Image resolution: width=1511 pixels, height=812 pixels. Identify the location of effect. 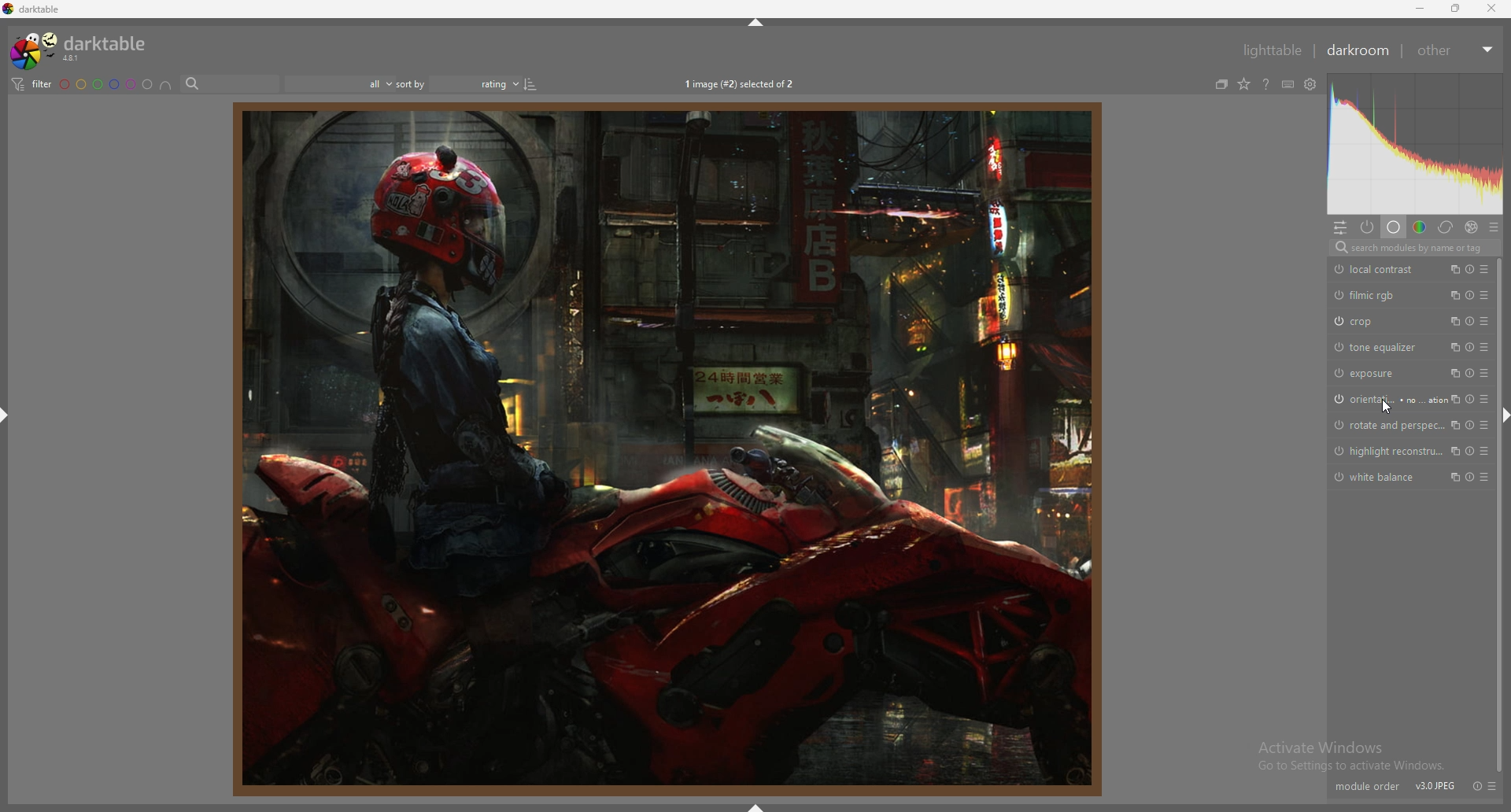
(1472, 227).